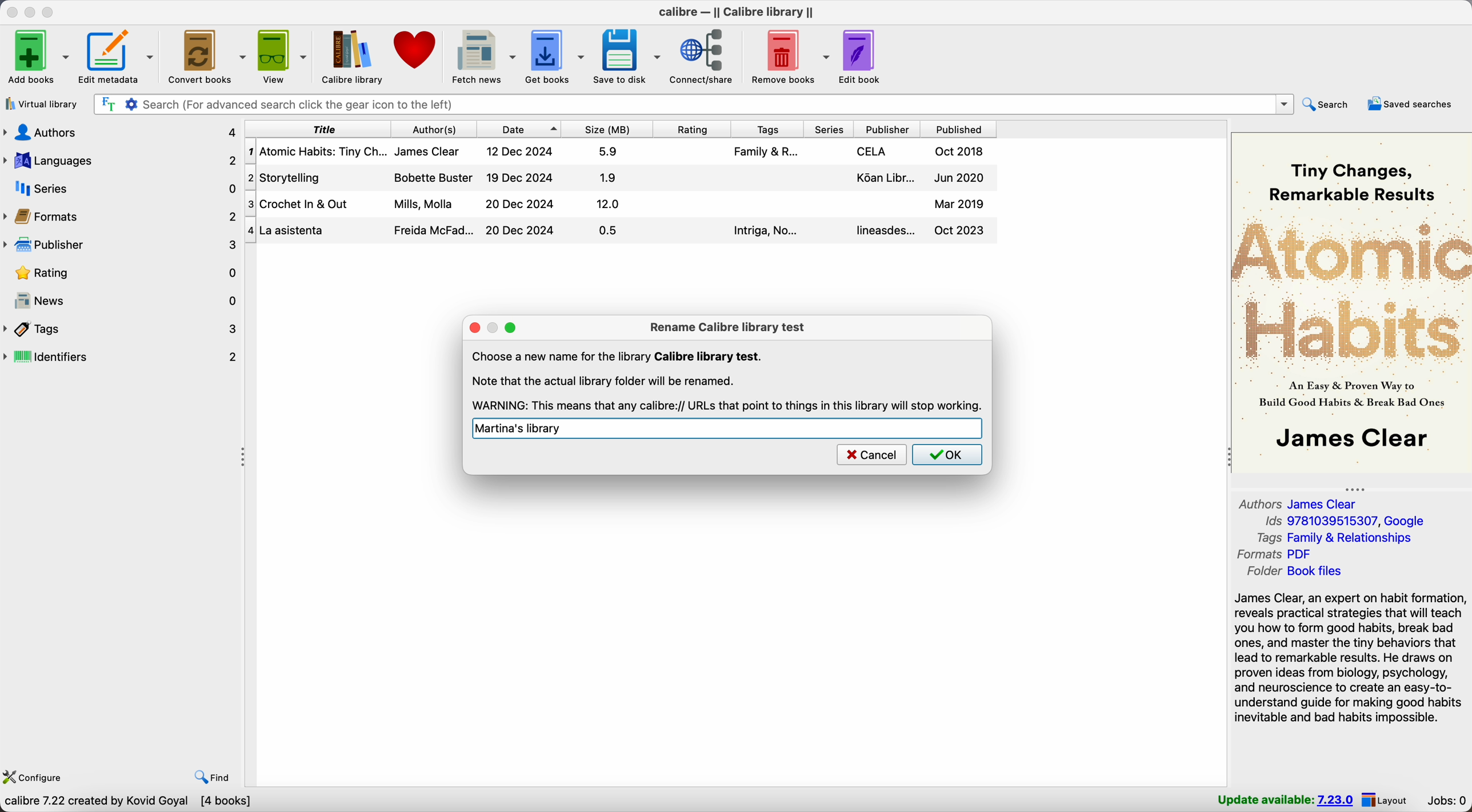 The image size is (1472, 812). I want to click on folder Book files, so click(1306, 571).